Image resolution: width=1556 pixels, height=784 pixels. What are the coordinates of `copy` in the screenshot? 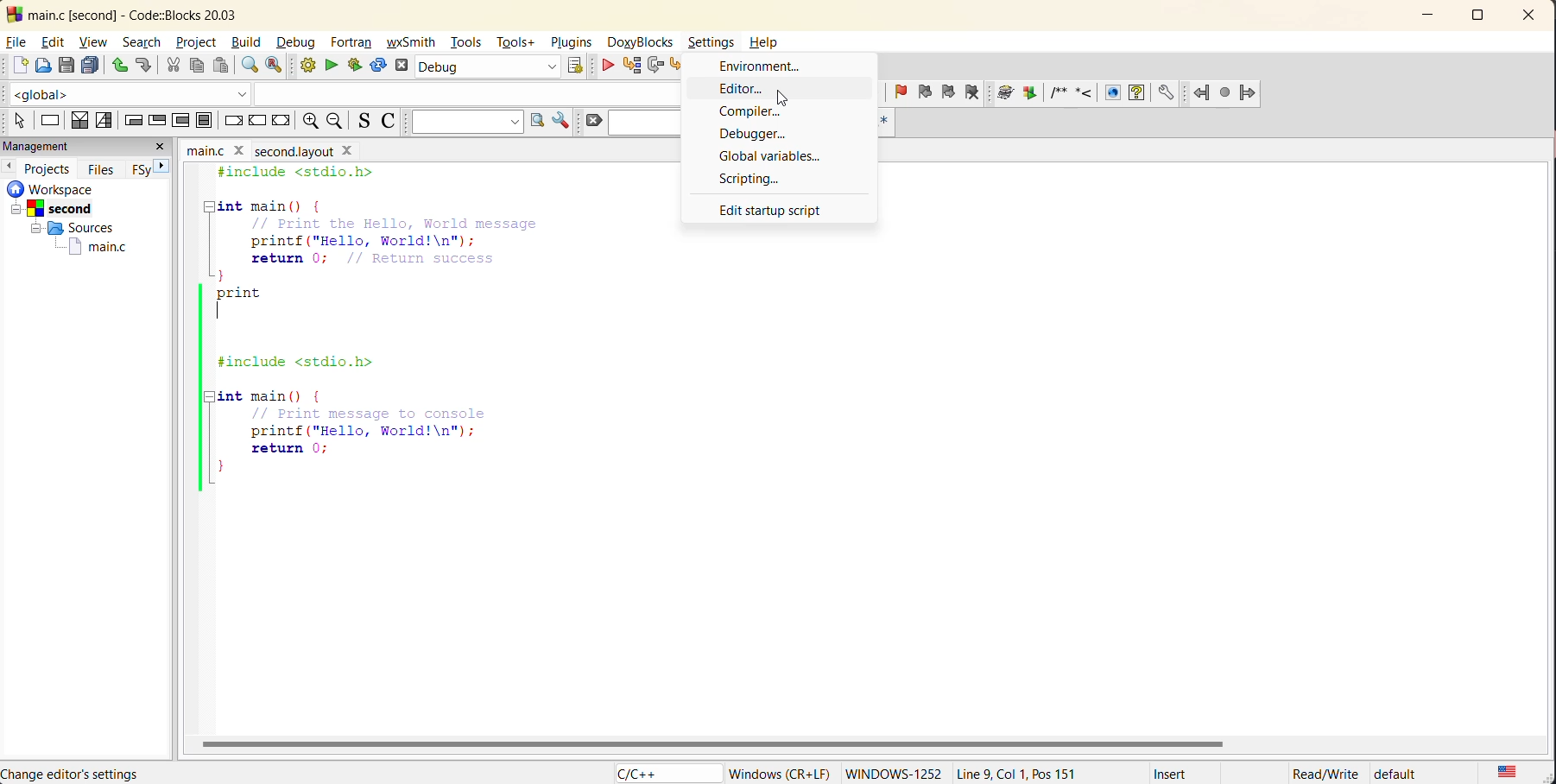 It's located at (198, 66).